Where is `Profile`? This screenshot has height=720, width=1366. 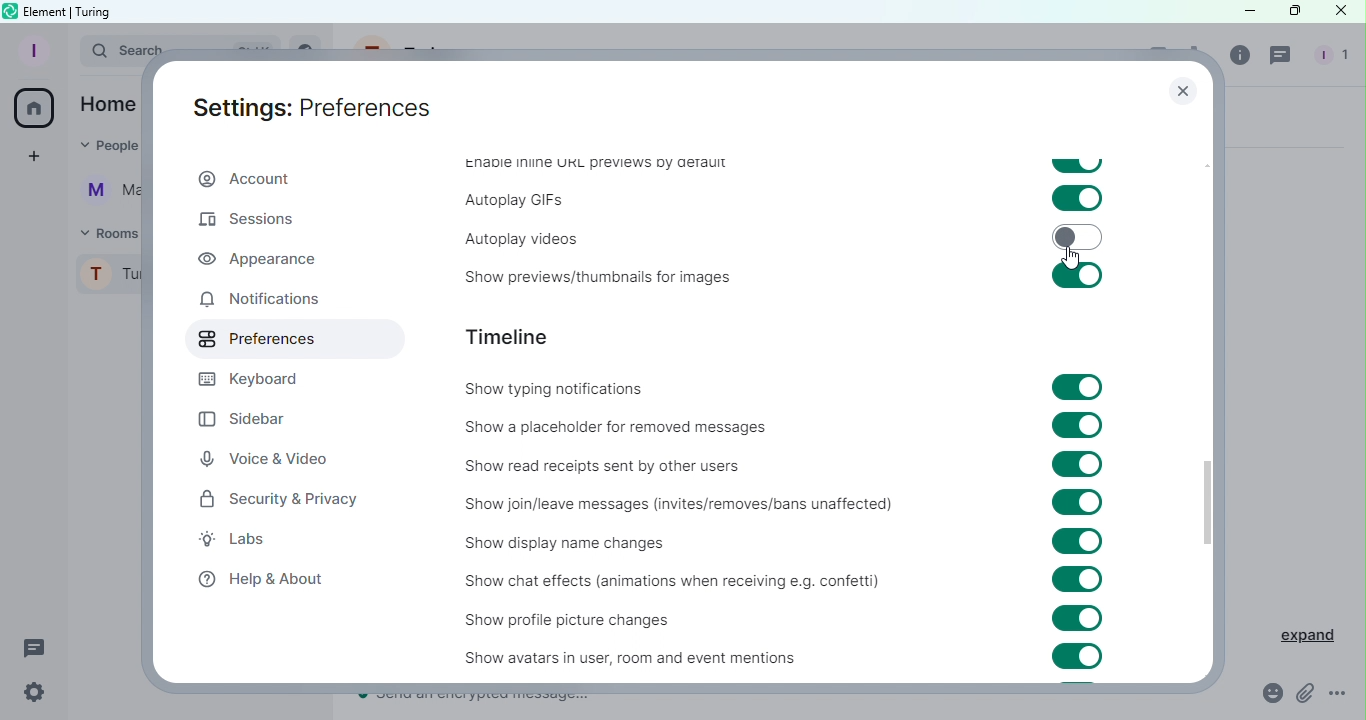
Profile is located at coordinates (31, 50).